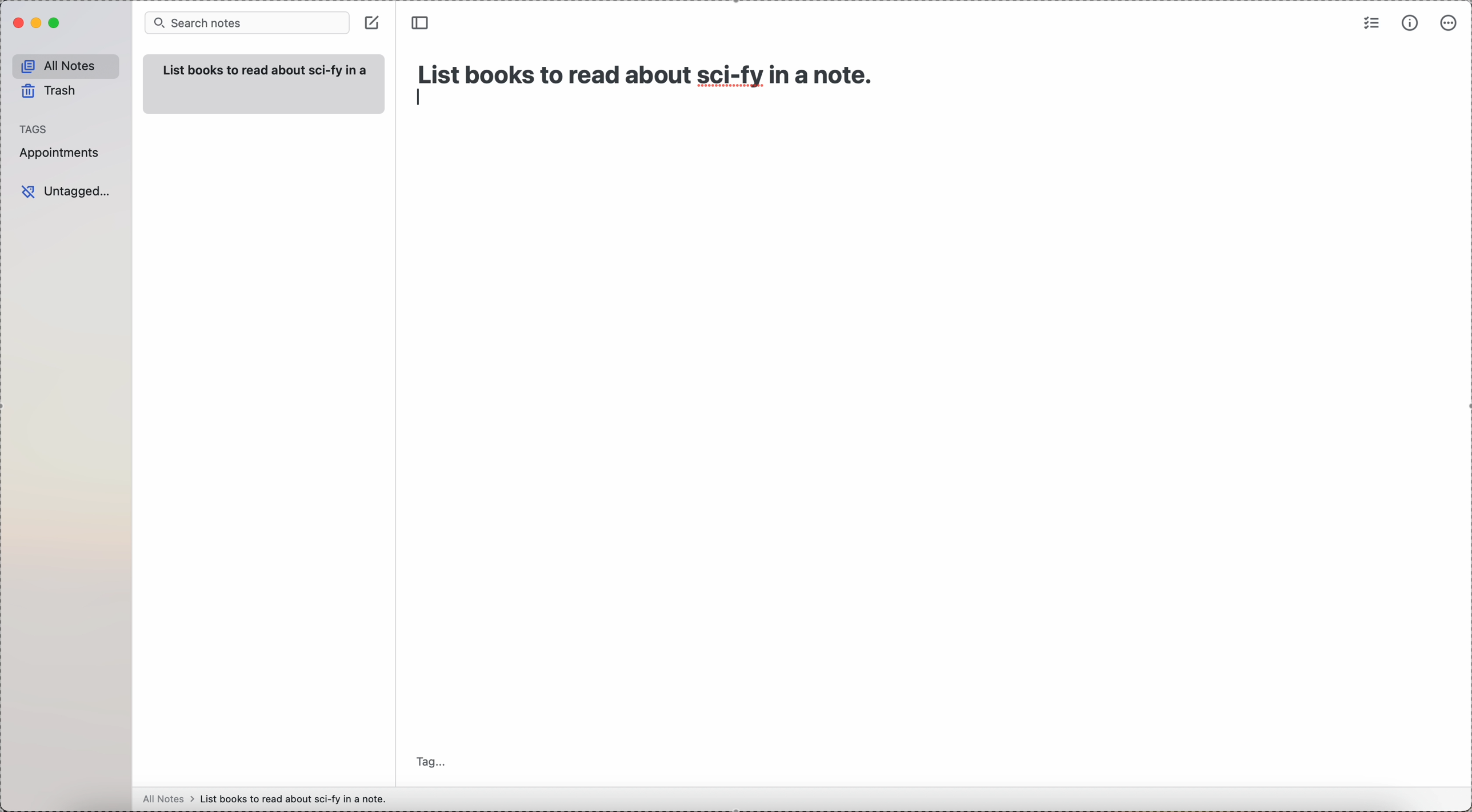  Describe the element at coordinates (60, 154) in the screenshot. I see `appointments tag` at that location.